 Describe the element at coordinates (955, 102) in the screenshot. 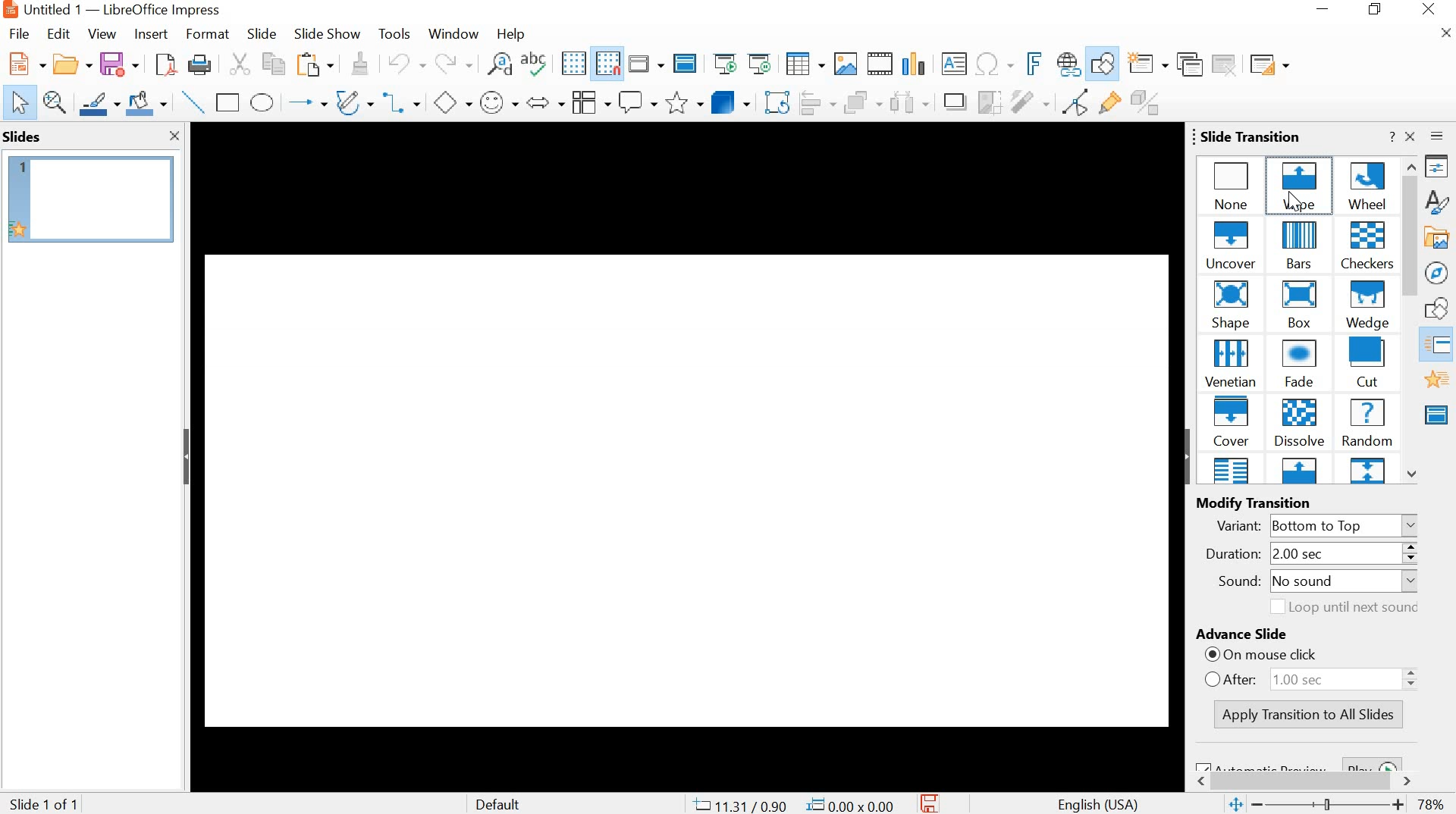

I see `Shadow` at that location.